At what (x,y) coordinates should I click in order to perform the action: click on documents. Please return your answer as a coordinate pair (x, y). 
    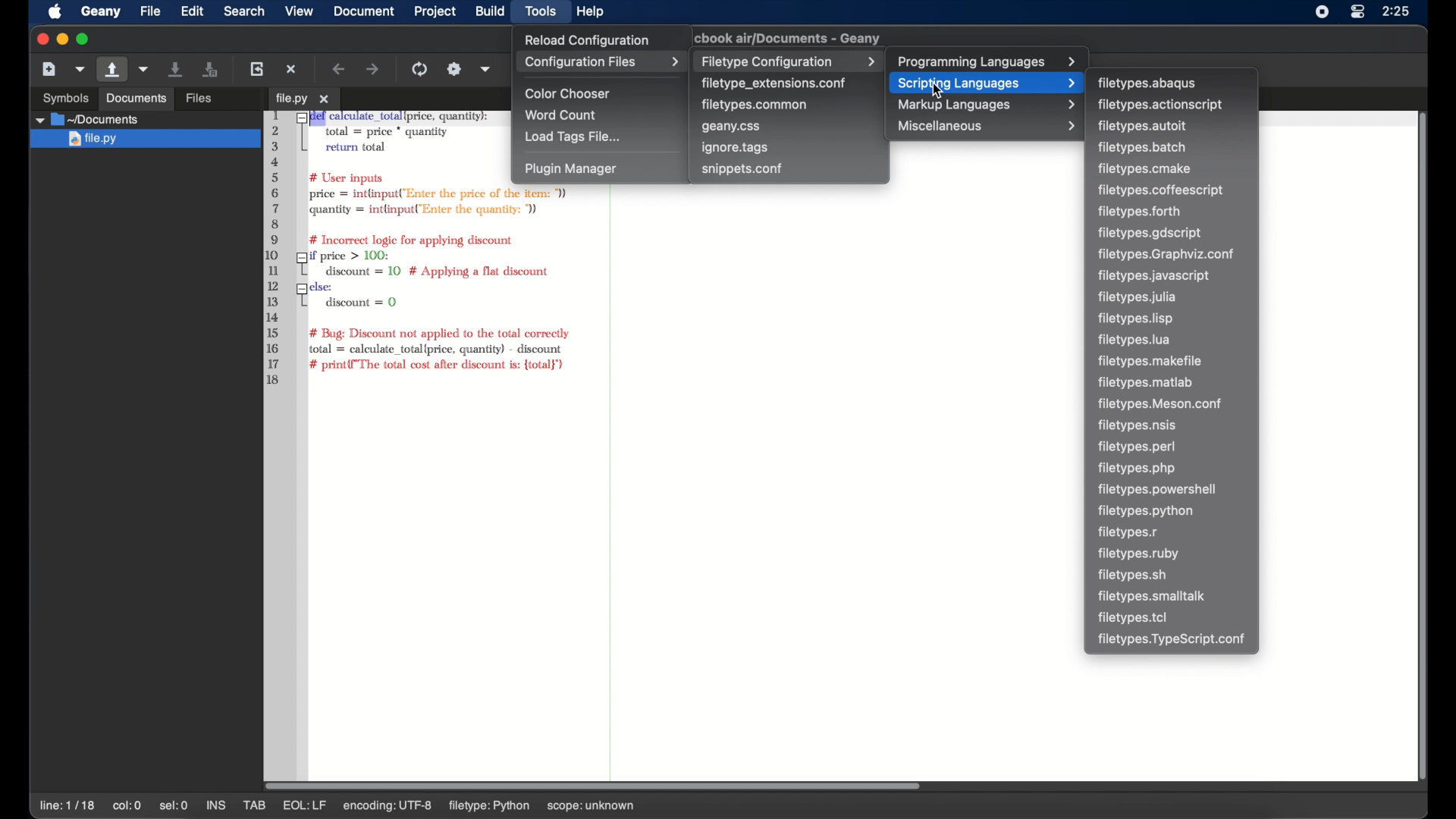
    Looking at the image, I should click on (87, 119).